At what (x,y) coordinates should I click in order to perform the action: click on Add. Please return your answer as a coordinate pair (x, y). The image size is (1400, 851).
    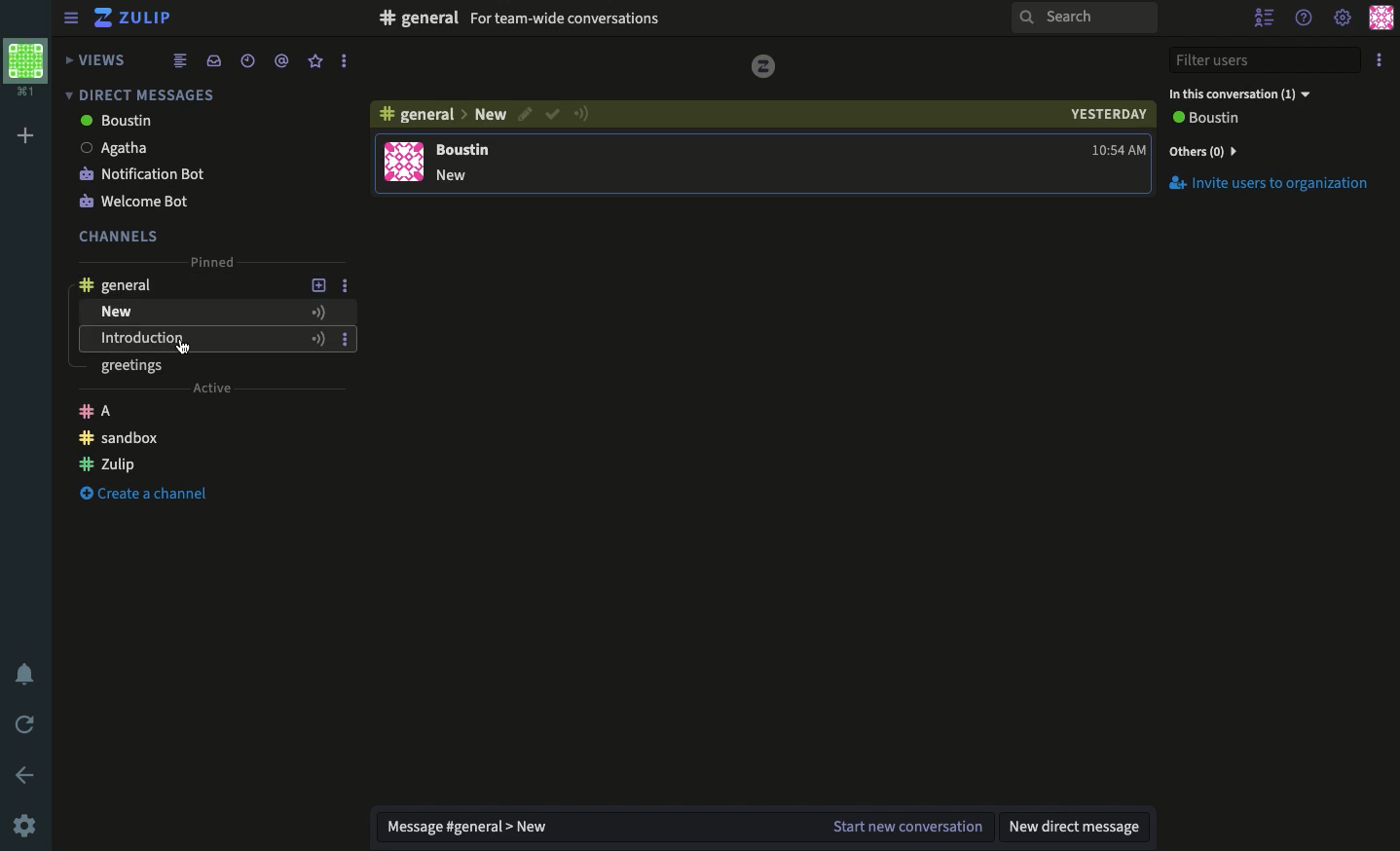
    Looking at the image, I should click on (26, 136).